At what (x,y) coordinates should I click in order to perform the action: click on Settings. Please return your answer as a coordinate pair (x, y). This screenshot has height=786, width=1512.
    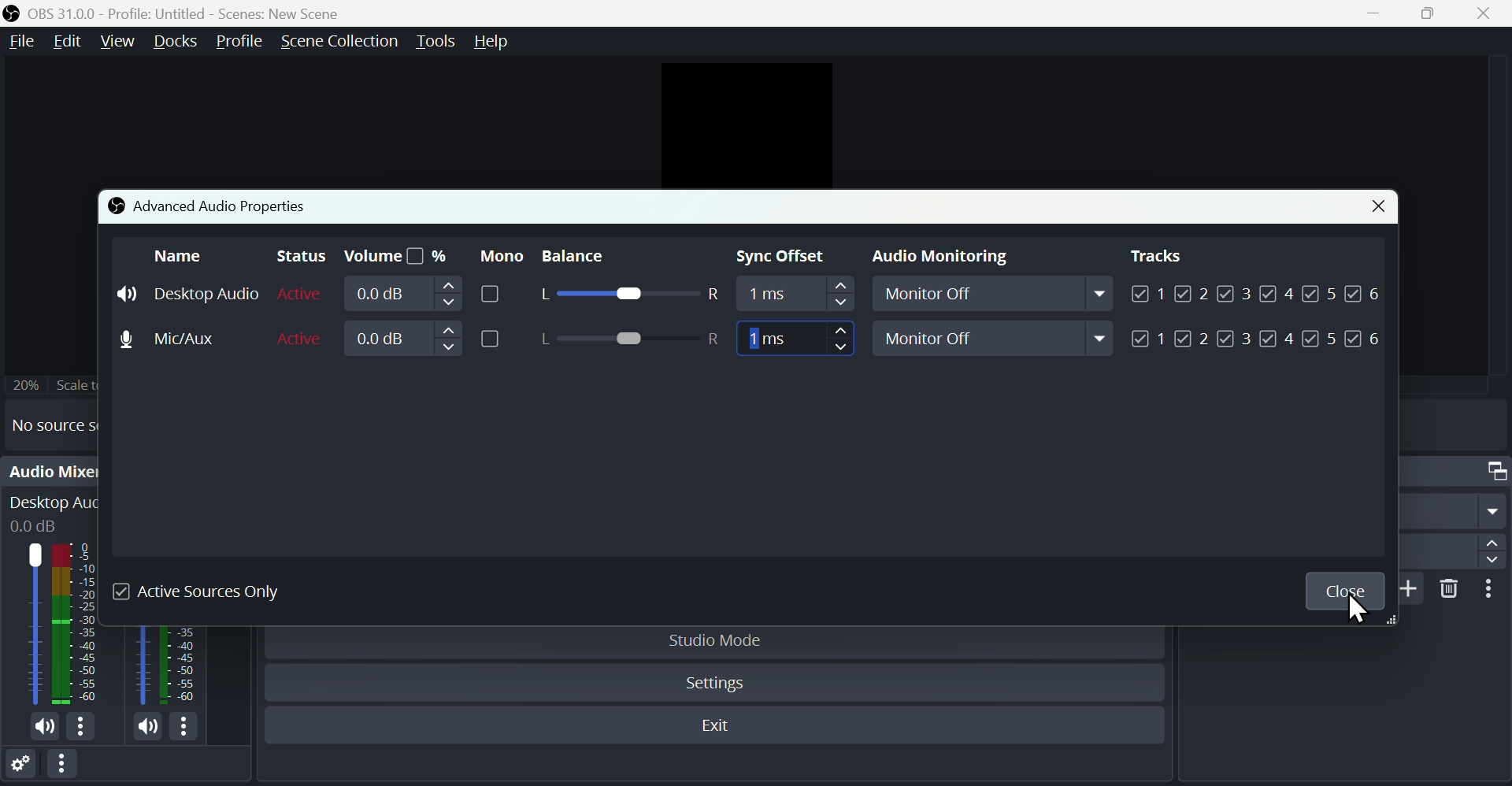
    Looking at the image, I should click on (20, 767).